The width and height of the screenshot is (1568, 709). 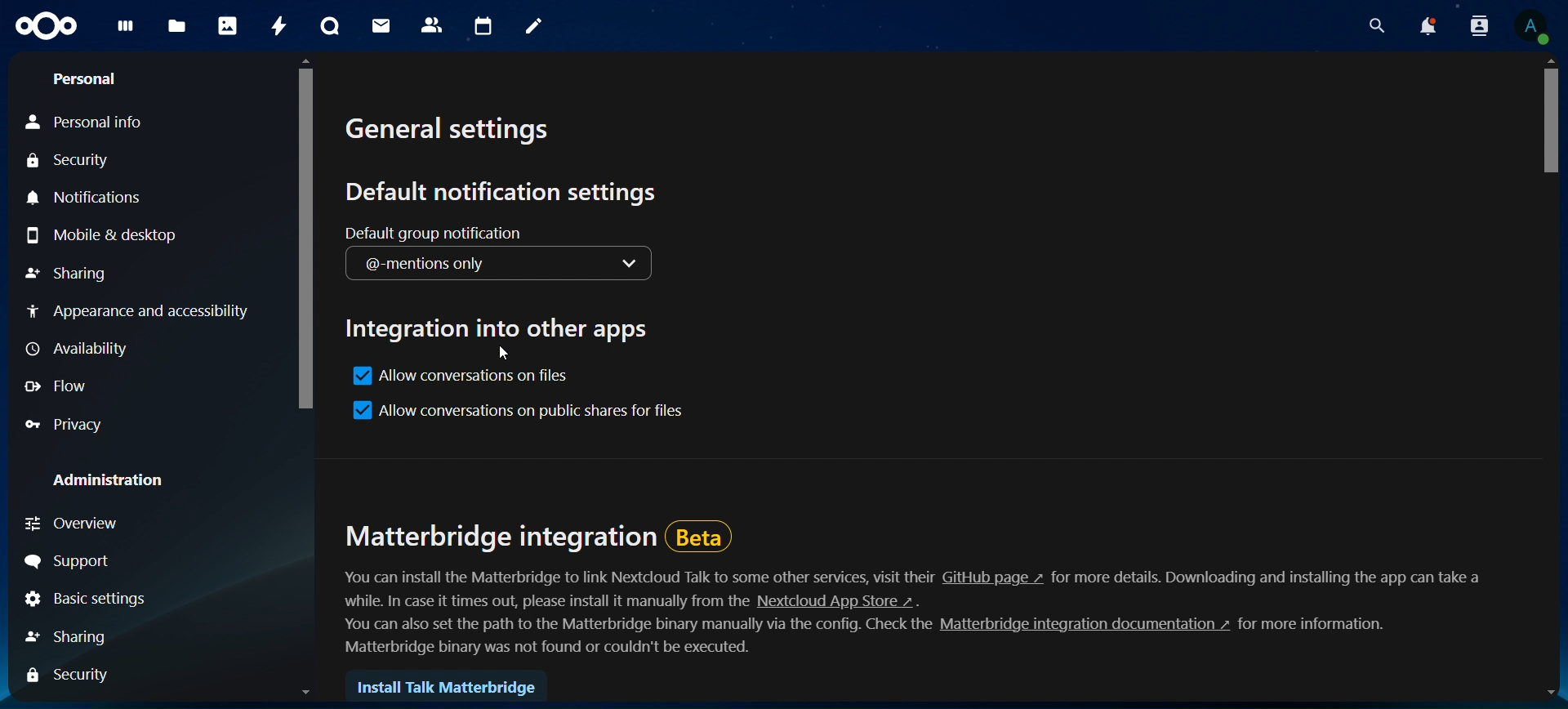 What do you see at coordinates (73, 274) in the screenshot?
I see `sharing` at bounding box center [73, 274].